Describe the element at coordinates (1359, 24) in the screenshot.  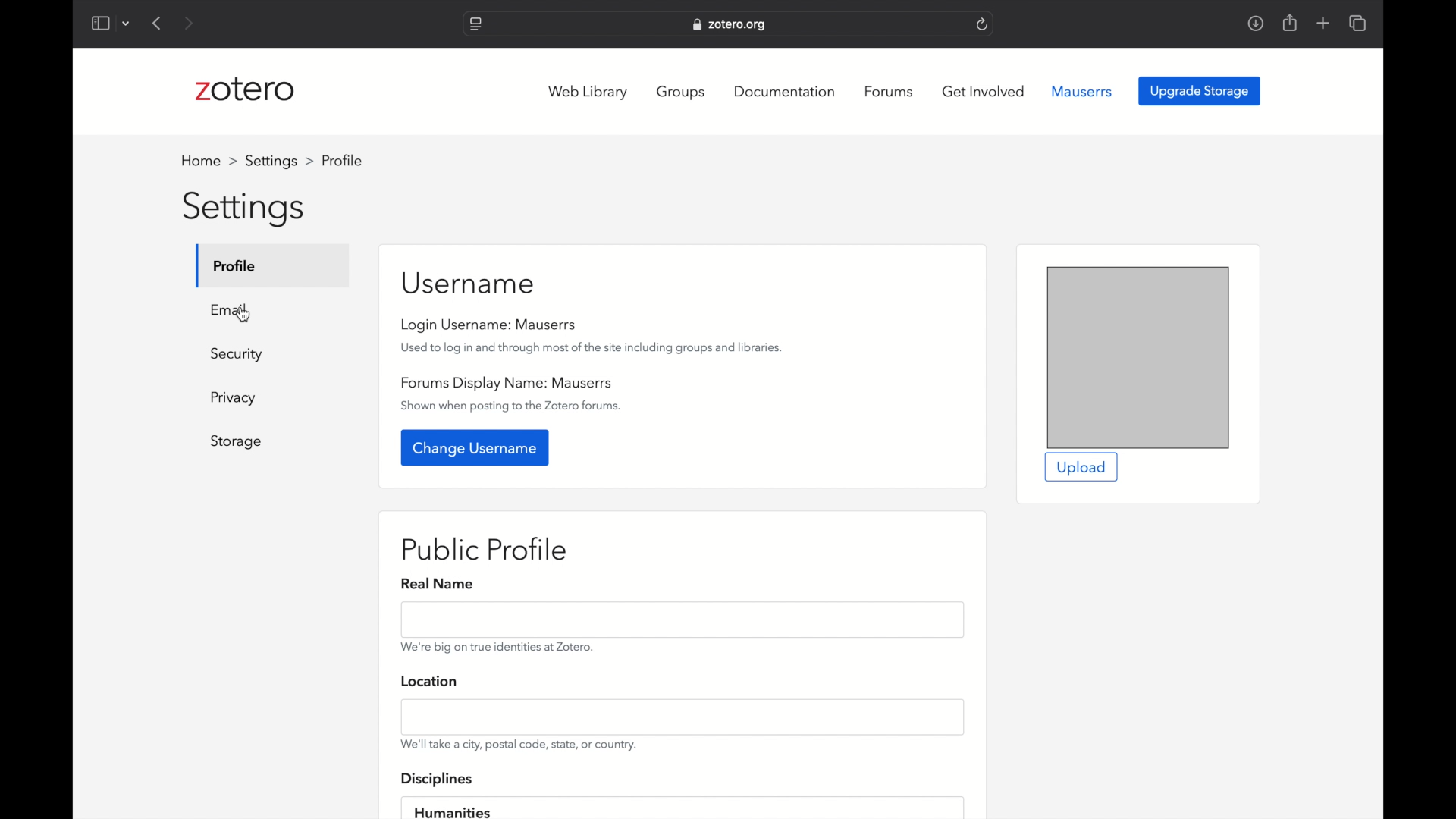
I see `show tab overview` at that location.